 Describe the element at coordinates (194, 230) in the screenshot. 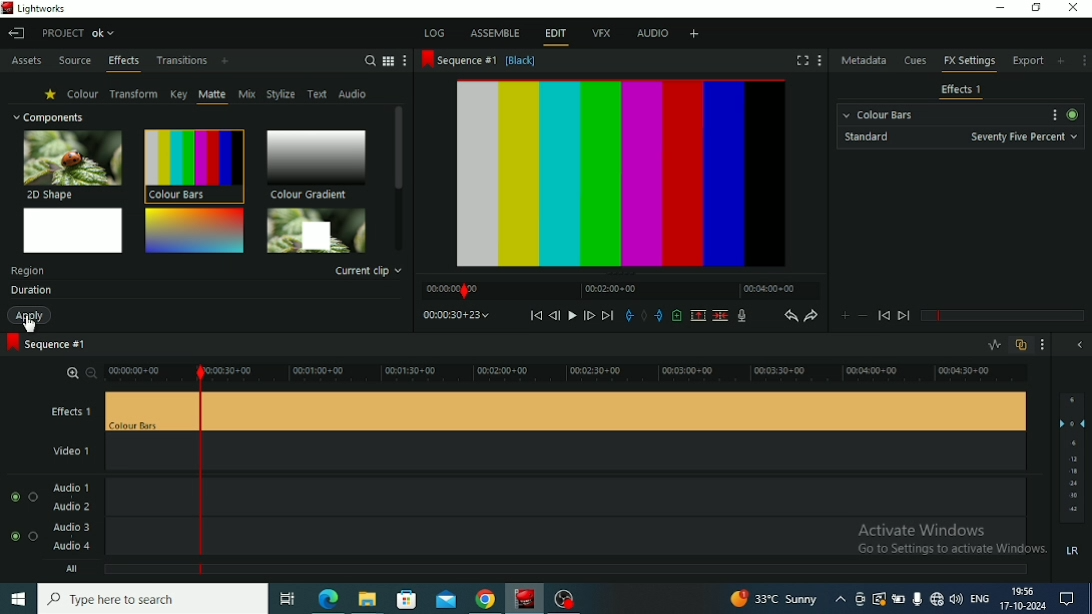

I see `Corner Gradient` at that location.